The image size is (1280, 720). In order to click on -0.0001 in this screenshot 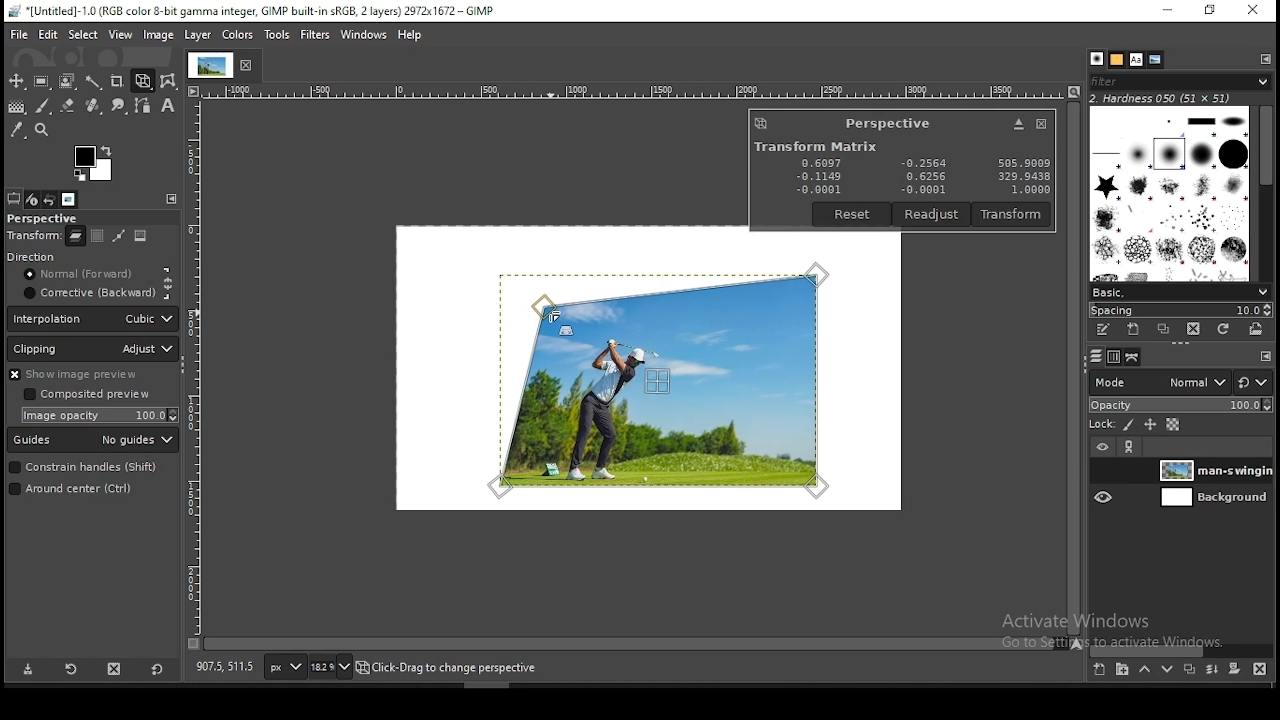, I will do `click(920, 190)`.